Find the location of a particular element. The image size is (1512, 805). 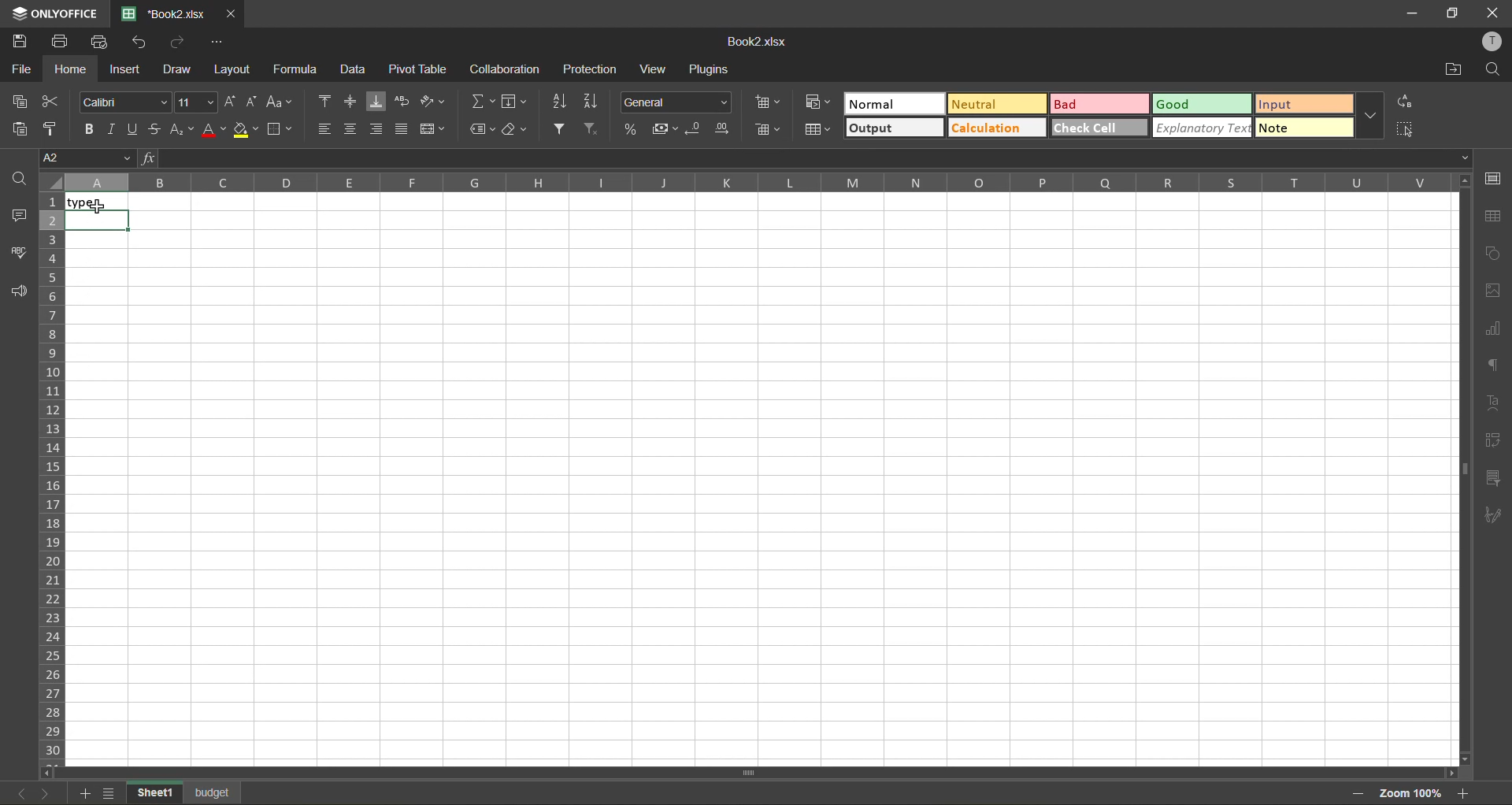

format as table is located at coordinates (821, 131).